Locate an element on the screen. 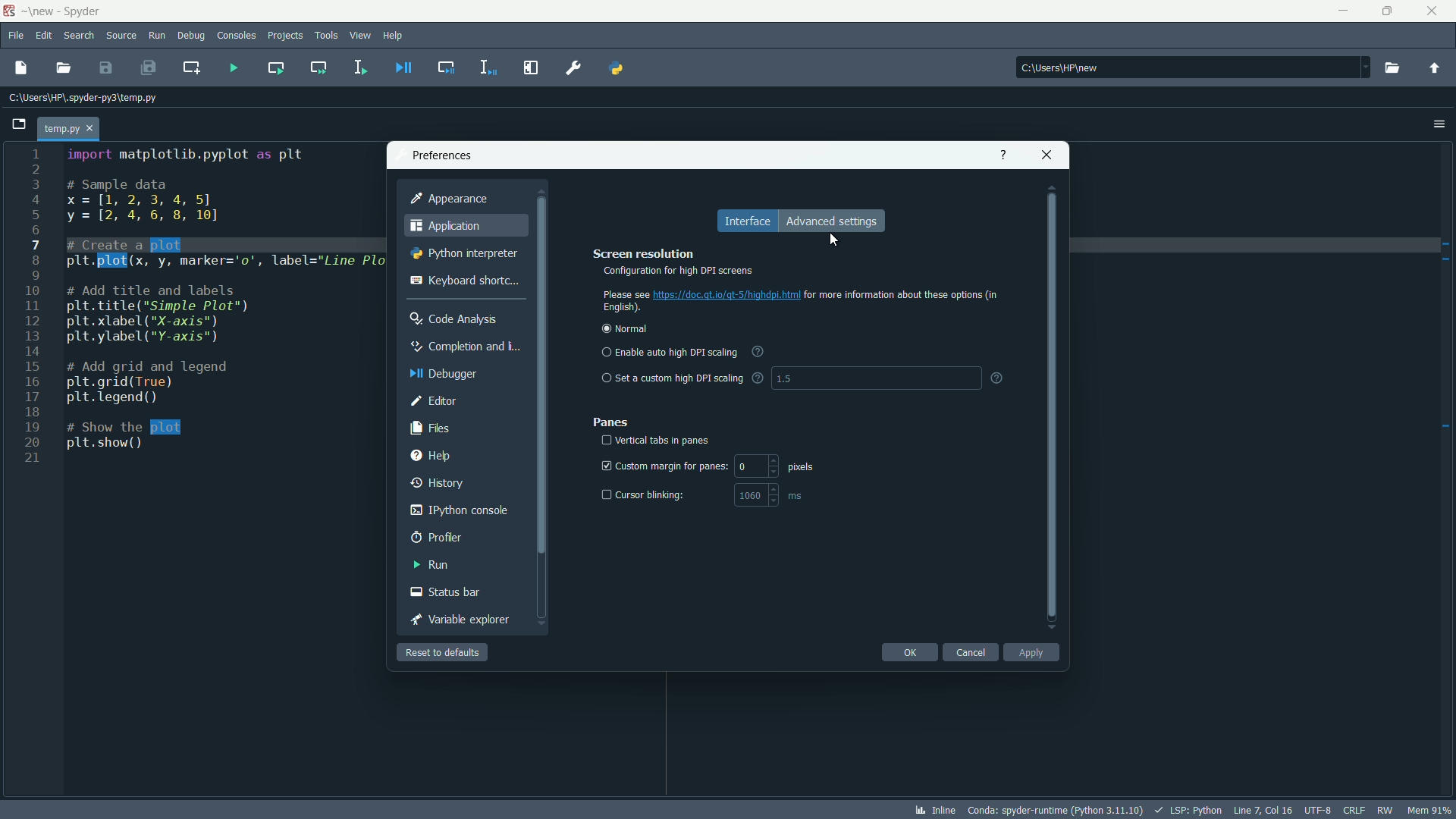 The height and width of the screenshot is (819, 1456). increment/decrement is located at coordinates (773, 466).